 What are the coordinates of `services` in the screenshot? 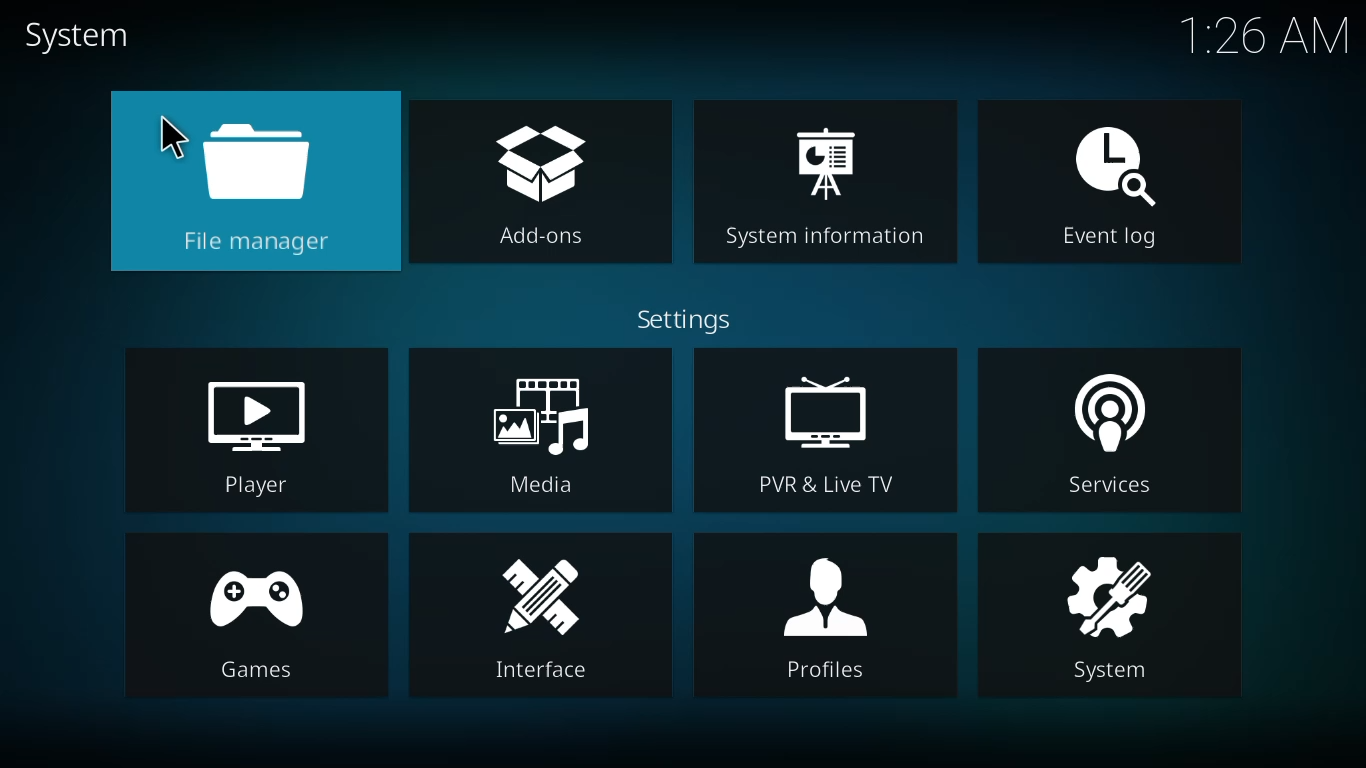 It's located at (1106, 436).